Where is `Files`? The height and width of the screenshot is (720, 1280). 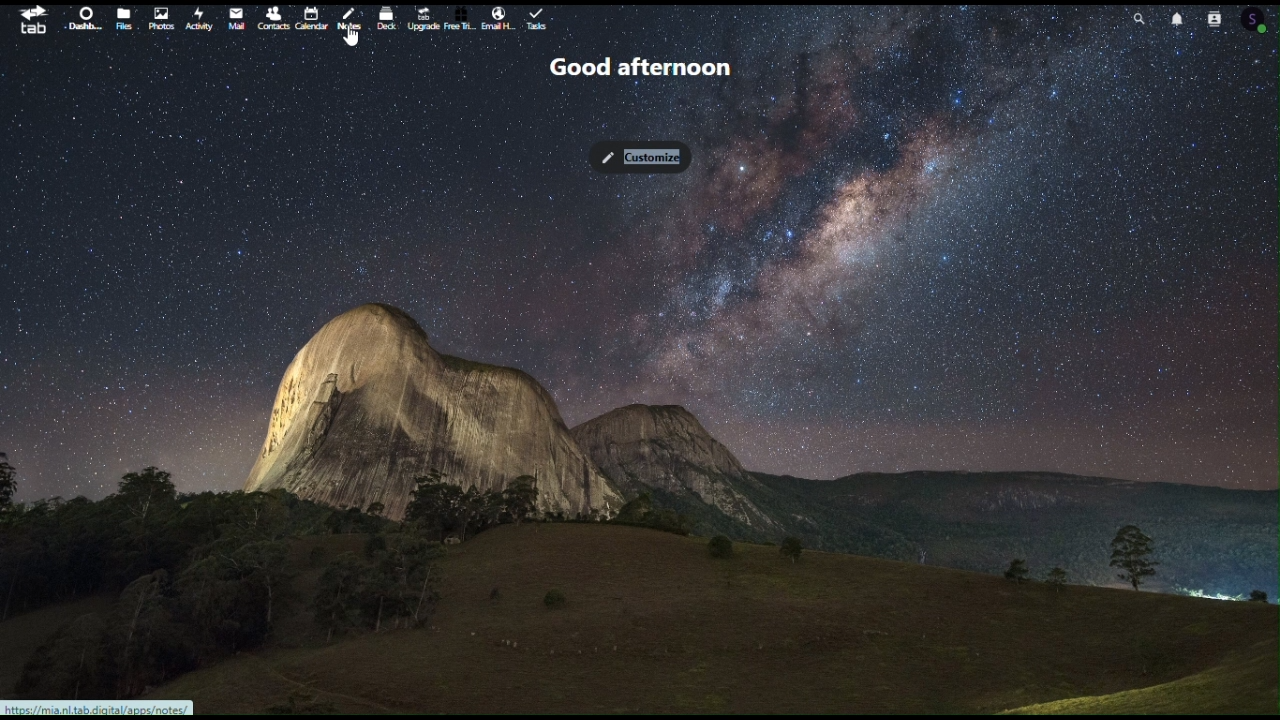 Files is located at coordinates (123, 20).